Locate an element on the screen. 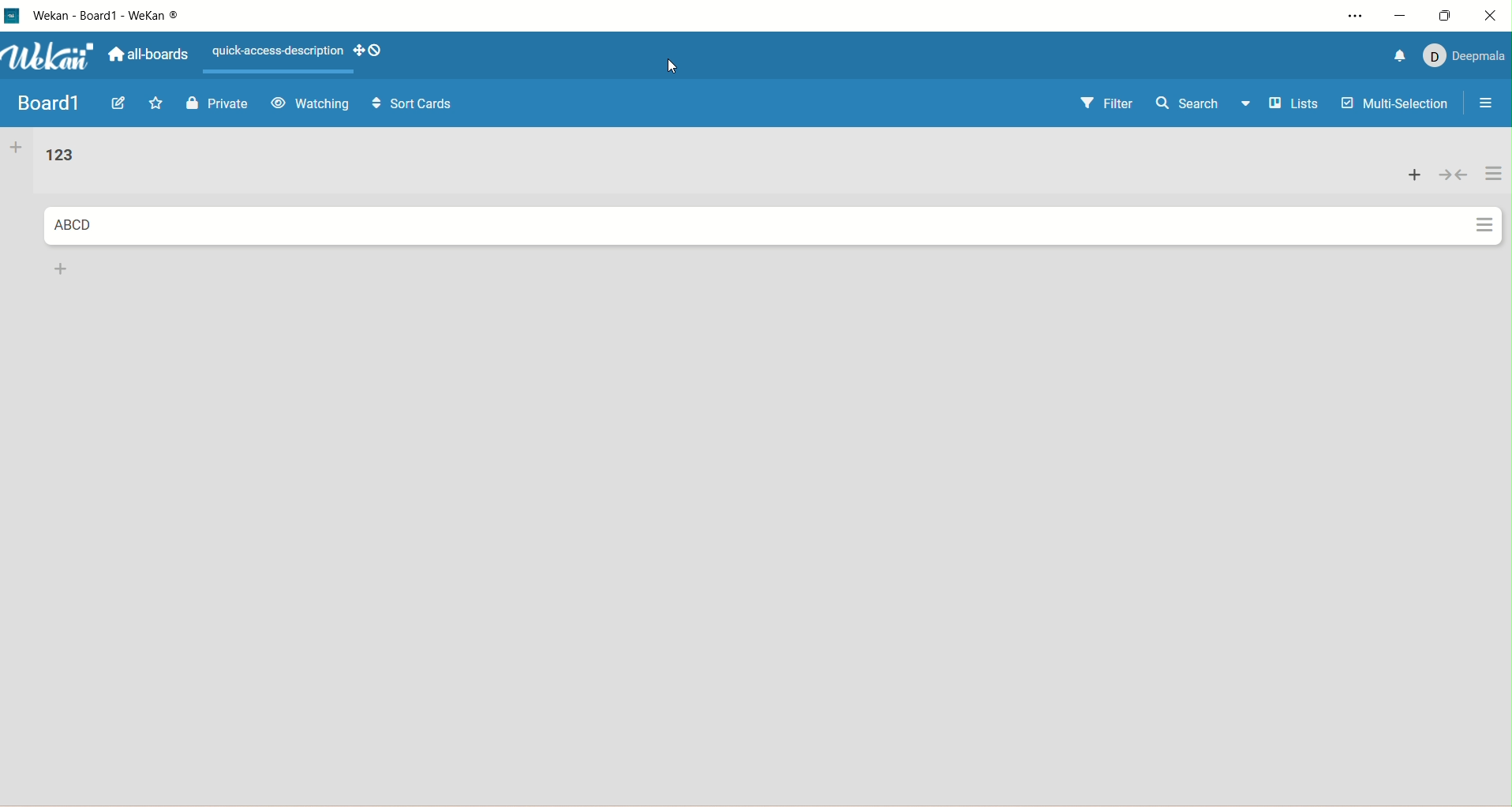 Image resolution: width=1512 pixels, height=807 pixels. card title is located at coordinates (73, 226).